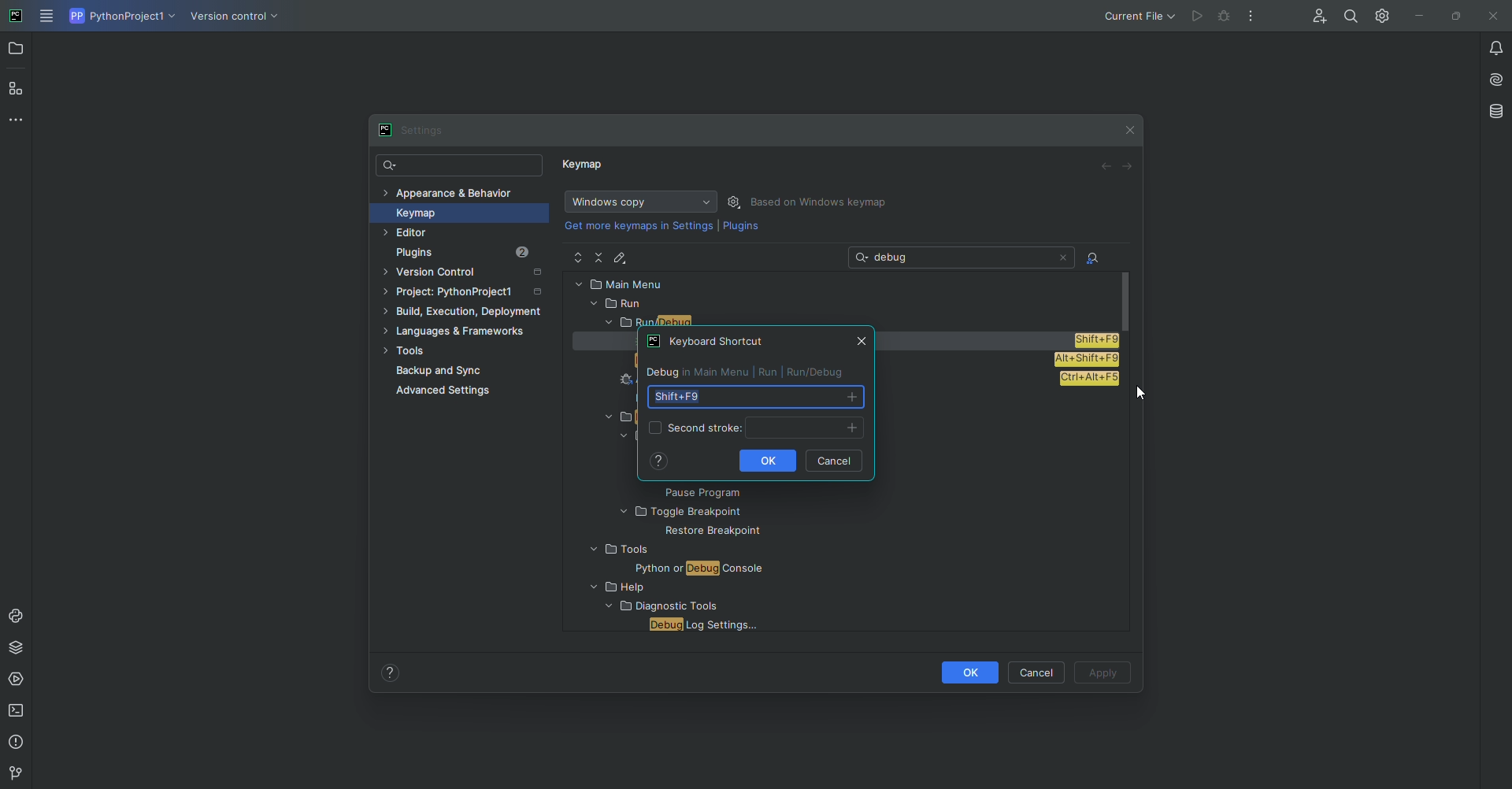  What do you see at coordinates (1316, 17) in the screenshot?
I see `Code with me` at bounding box center [1316, 17].